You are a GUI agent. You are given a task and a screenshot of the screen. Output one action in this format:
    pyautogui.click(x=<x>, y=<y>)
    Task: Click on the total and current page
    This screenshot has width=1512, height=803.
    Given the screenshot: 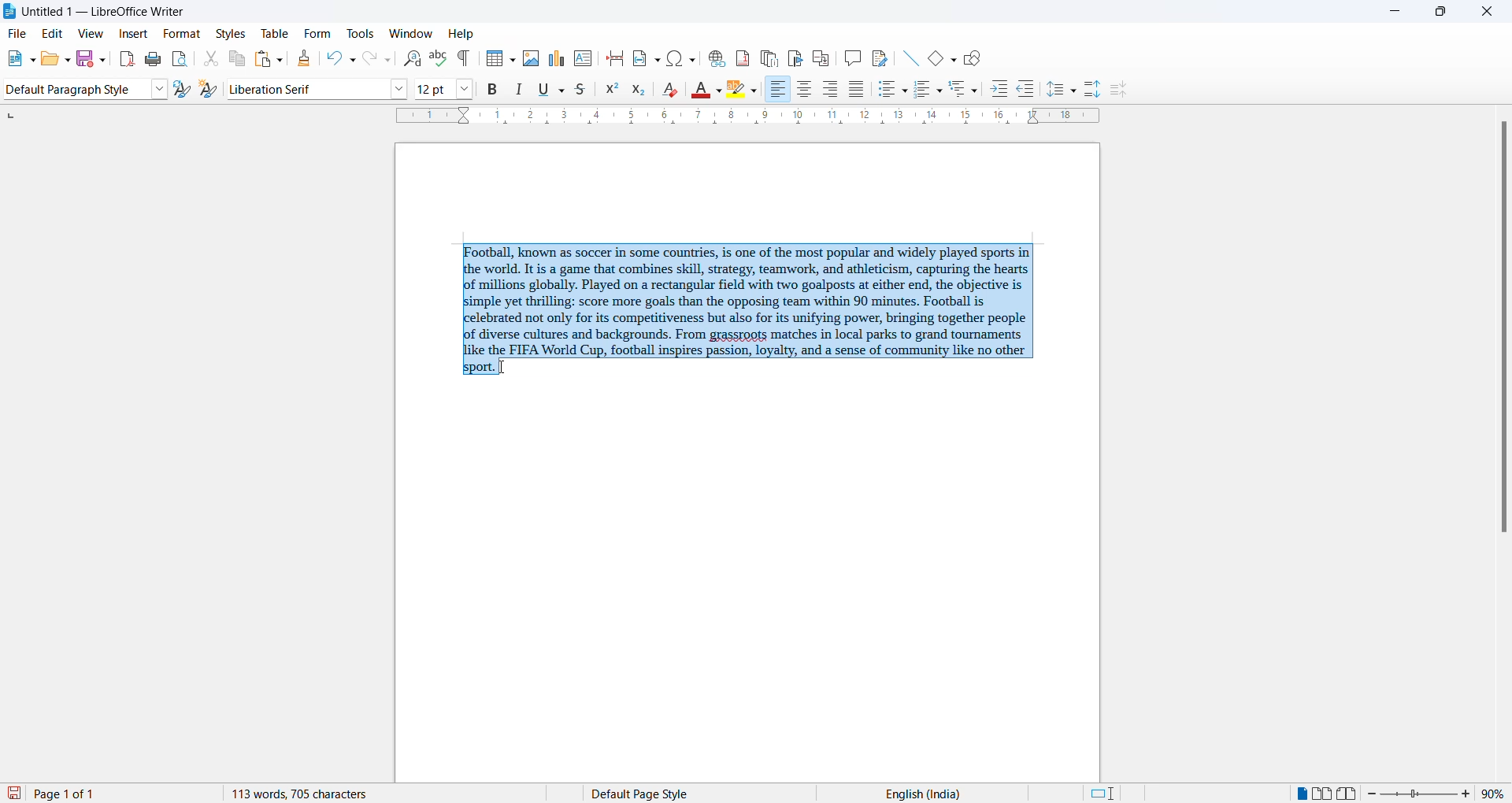 What is the action you would take?
    pyautogui.click(x=126, y=792)
    